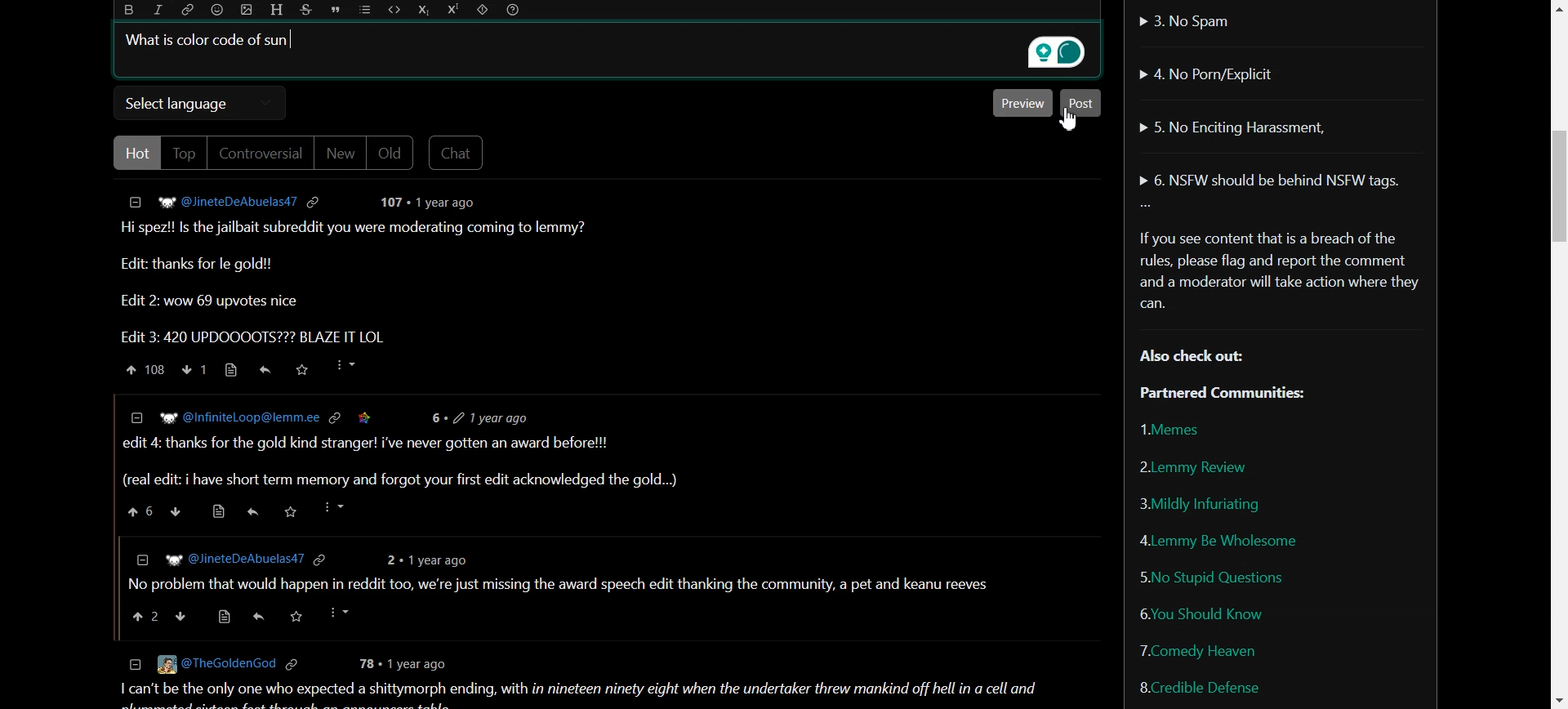 The image size is (1568, 709). I want to click on collapse, so click(135, 666).